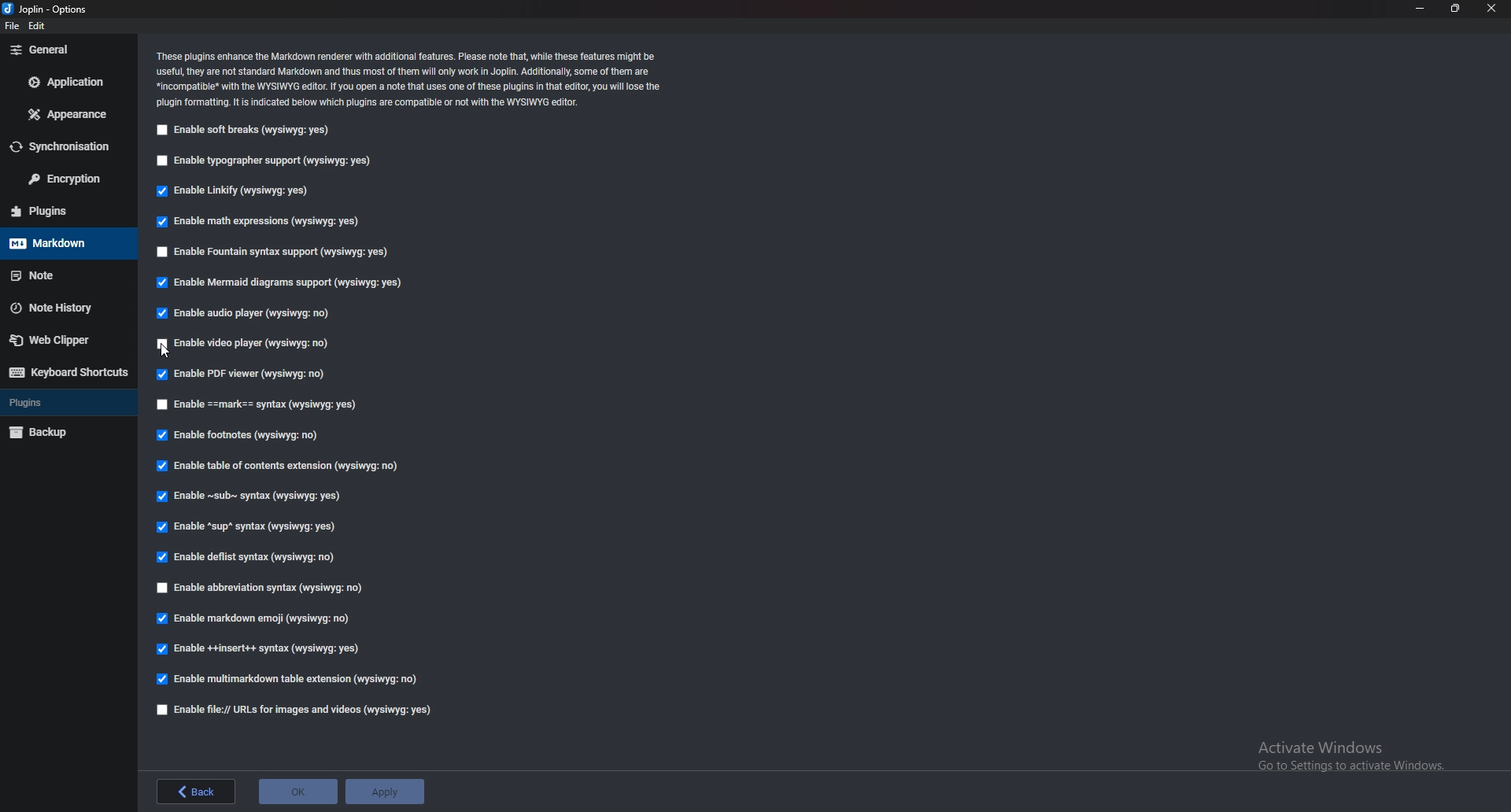  What do you see at coordinates (260, 648) in the screenshot?
I see `Enable insert syntax` at bounding box center [260, 648].